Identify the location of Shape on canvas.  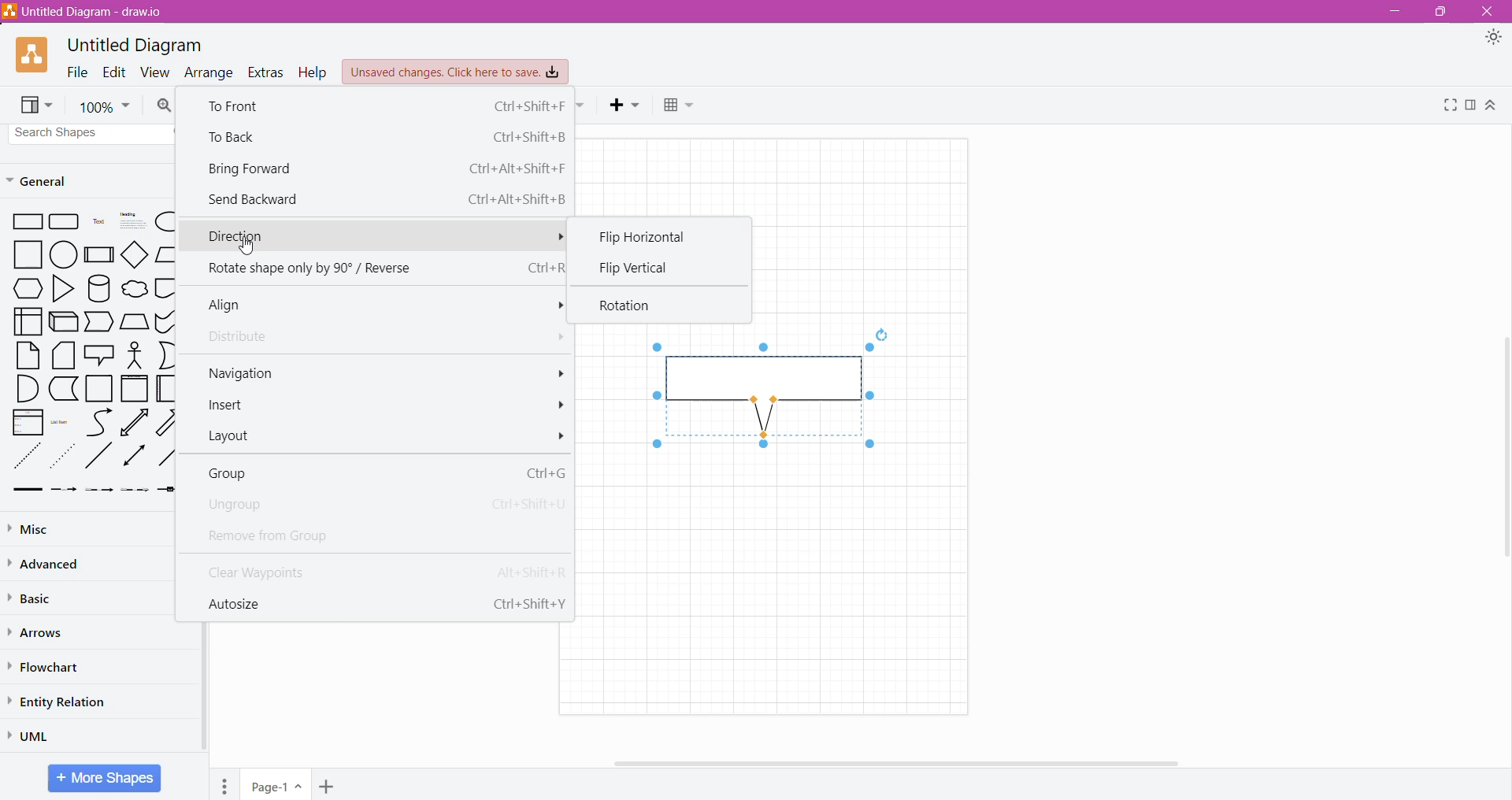
(767, 394).